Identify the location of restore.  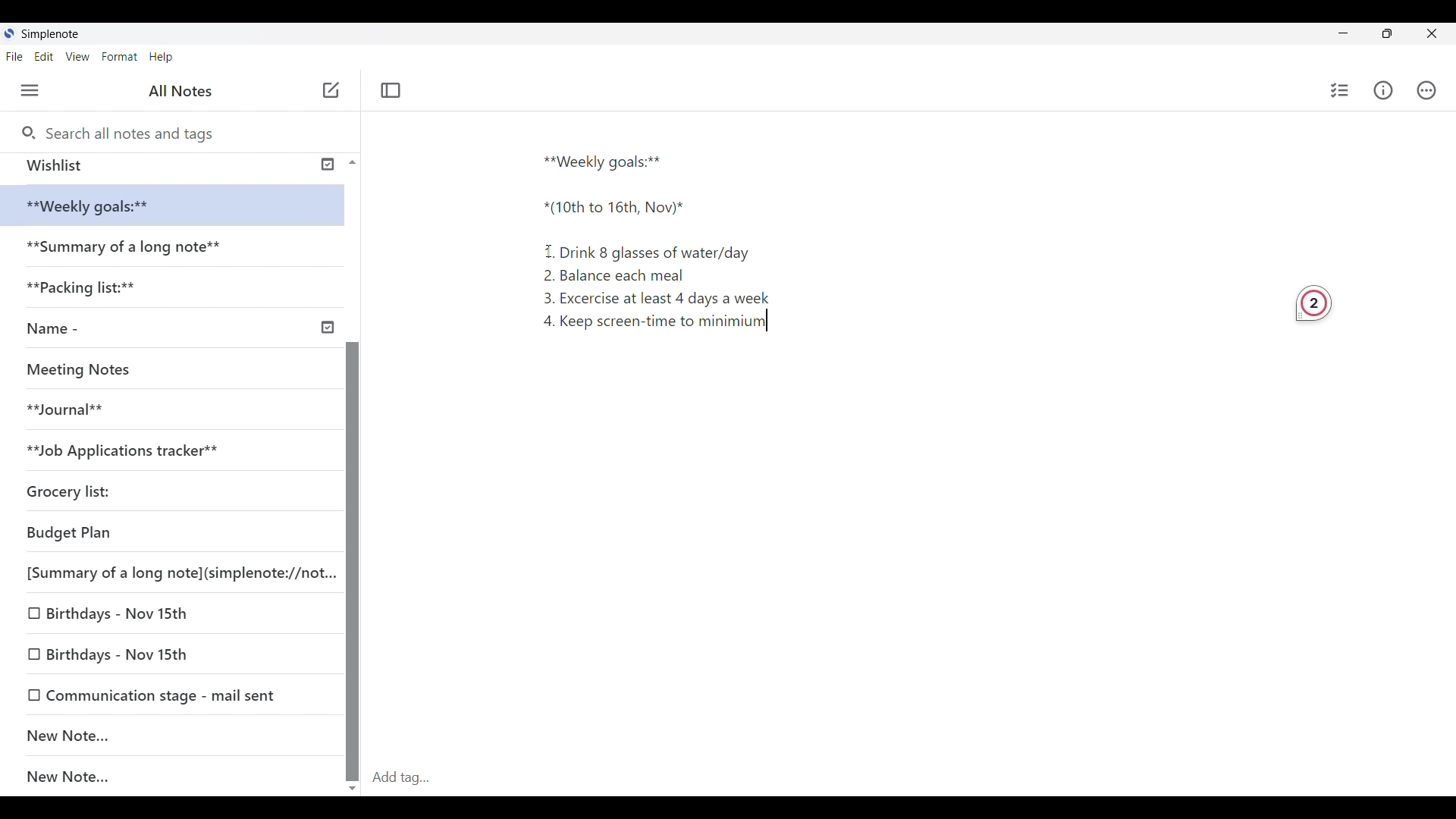
(1400, 36).